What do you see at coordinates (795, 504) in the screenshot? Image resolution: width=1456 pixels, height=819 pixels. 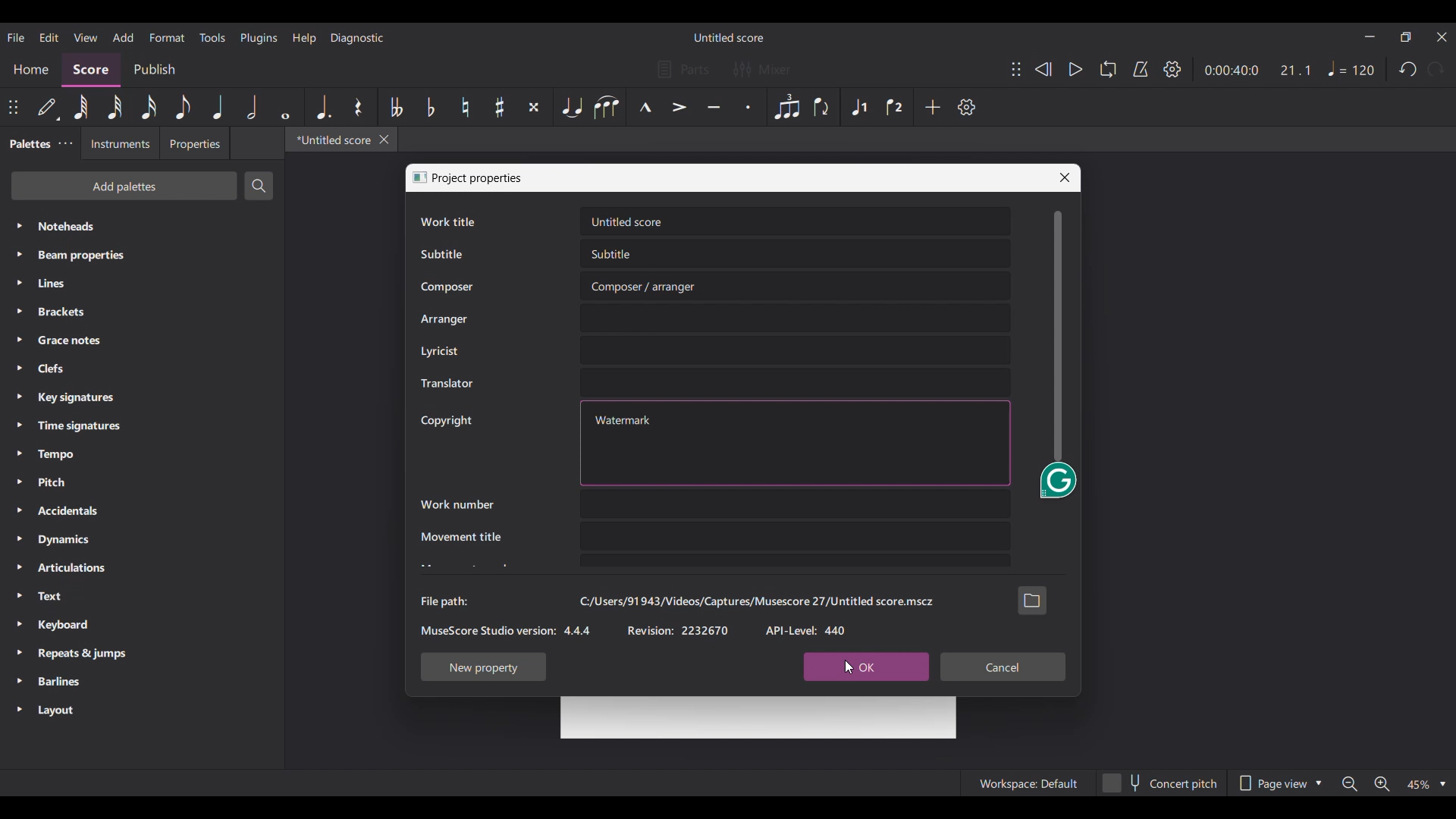 I see `Text box for Work number` at bounding box center [795, 504].